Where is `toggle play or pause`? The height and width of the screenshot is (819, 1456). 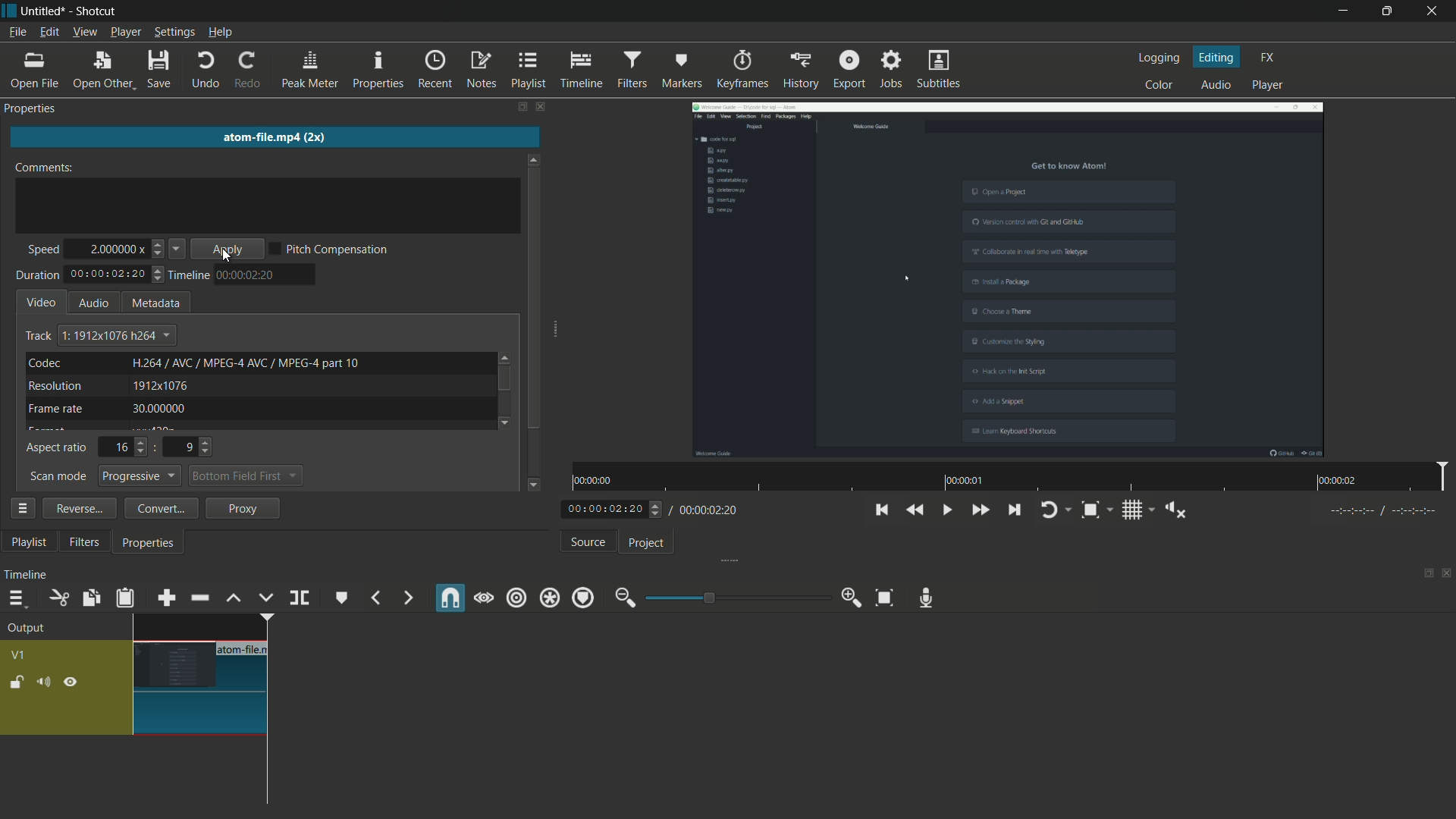 toggle play or pause is located at coordinates (945, 510).